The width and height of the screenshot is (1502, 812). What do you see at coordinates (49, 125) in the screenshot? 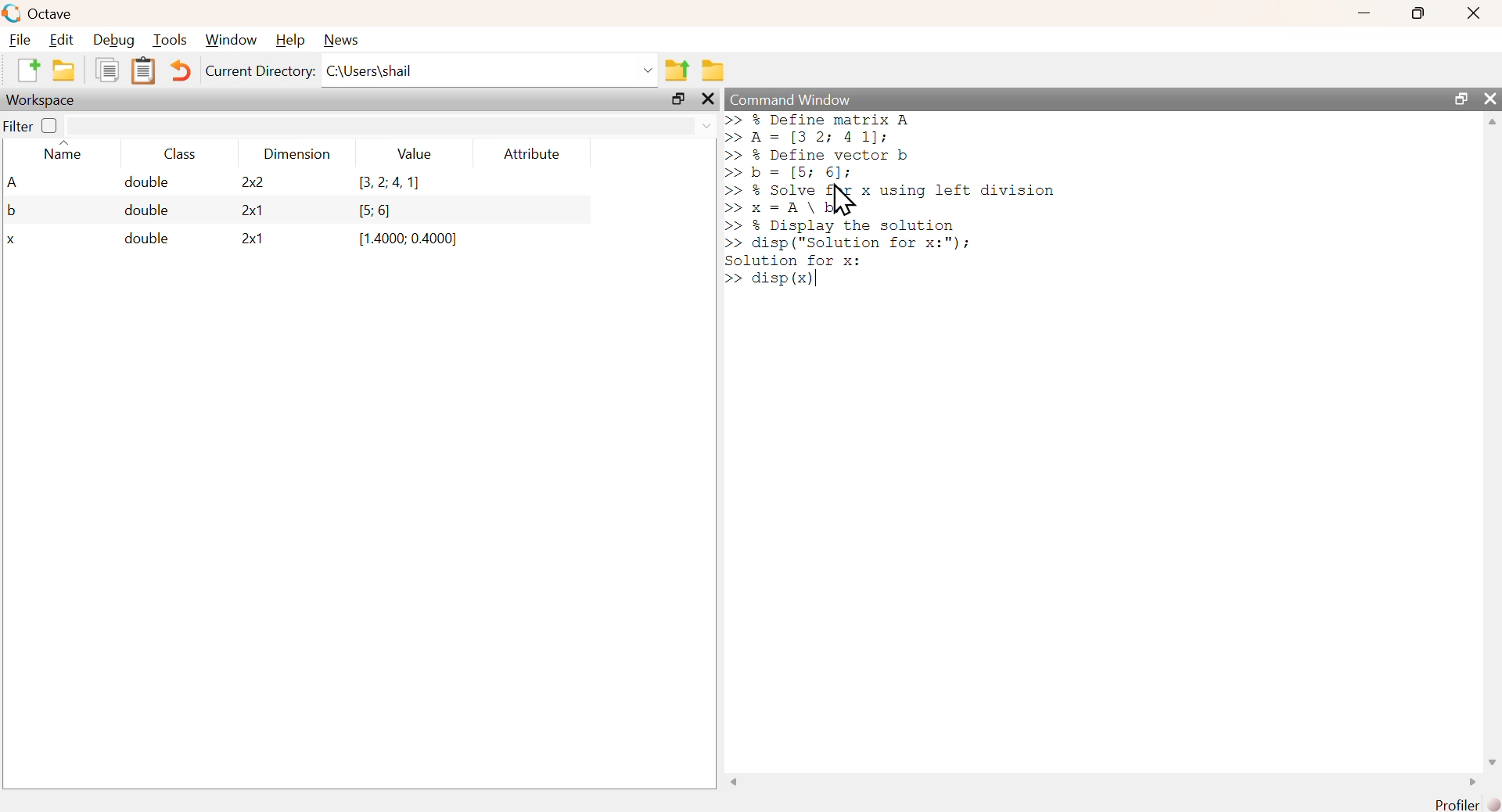
I see `off` at bounding box center [49, 125].